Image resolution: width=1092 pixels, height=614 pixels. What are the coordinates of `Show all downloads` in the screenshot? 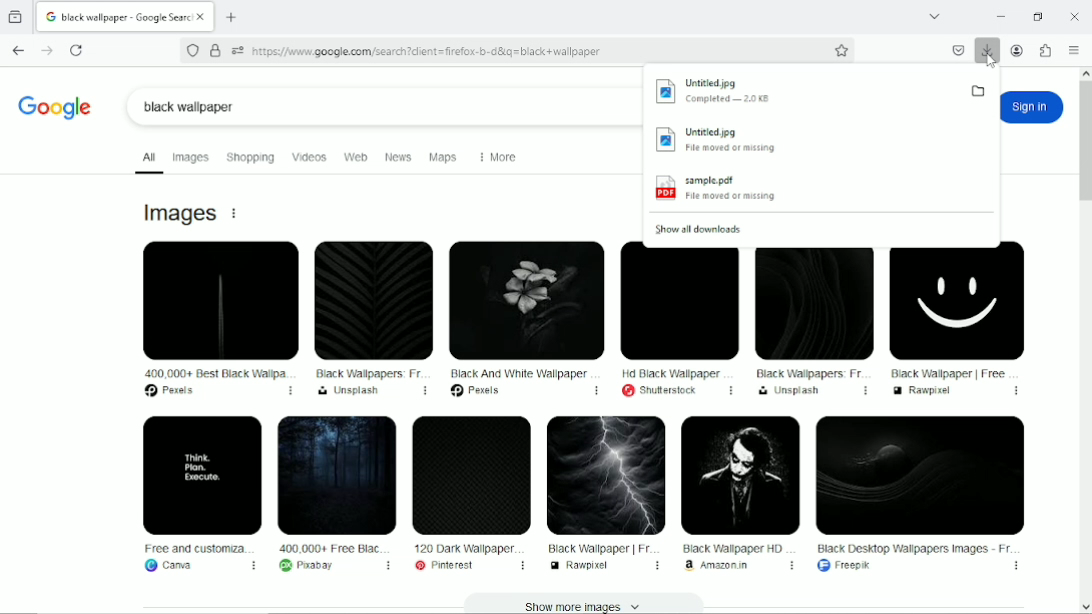 It's located at (703, 227).